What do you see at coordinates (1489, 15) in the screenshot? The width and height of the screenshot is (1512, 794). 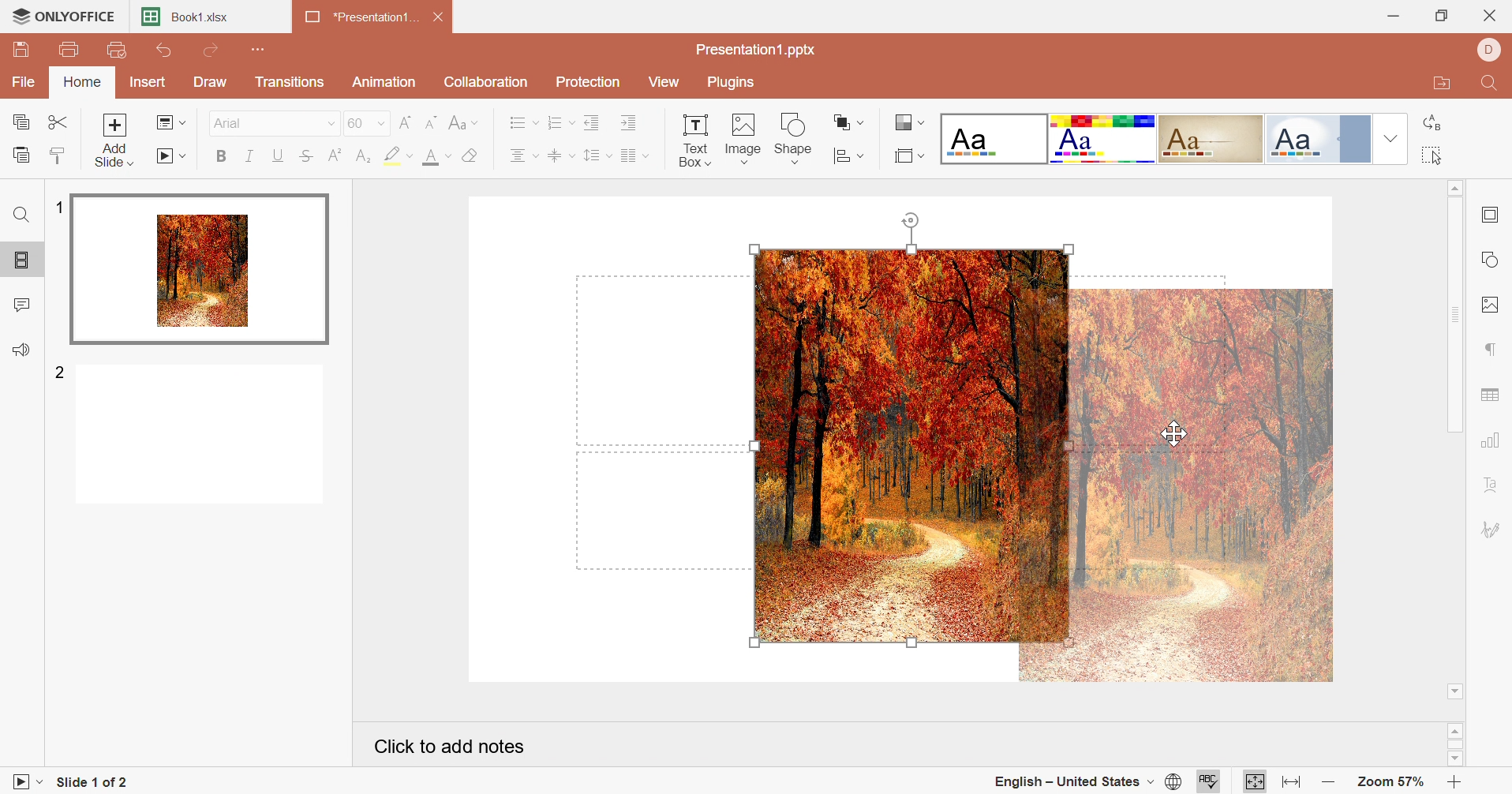 I see `Close` at bounding box center [1489, 15].